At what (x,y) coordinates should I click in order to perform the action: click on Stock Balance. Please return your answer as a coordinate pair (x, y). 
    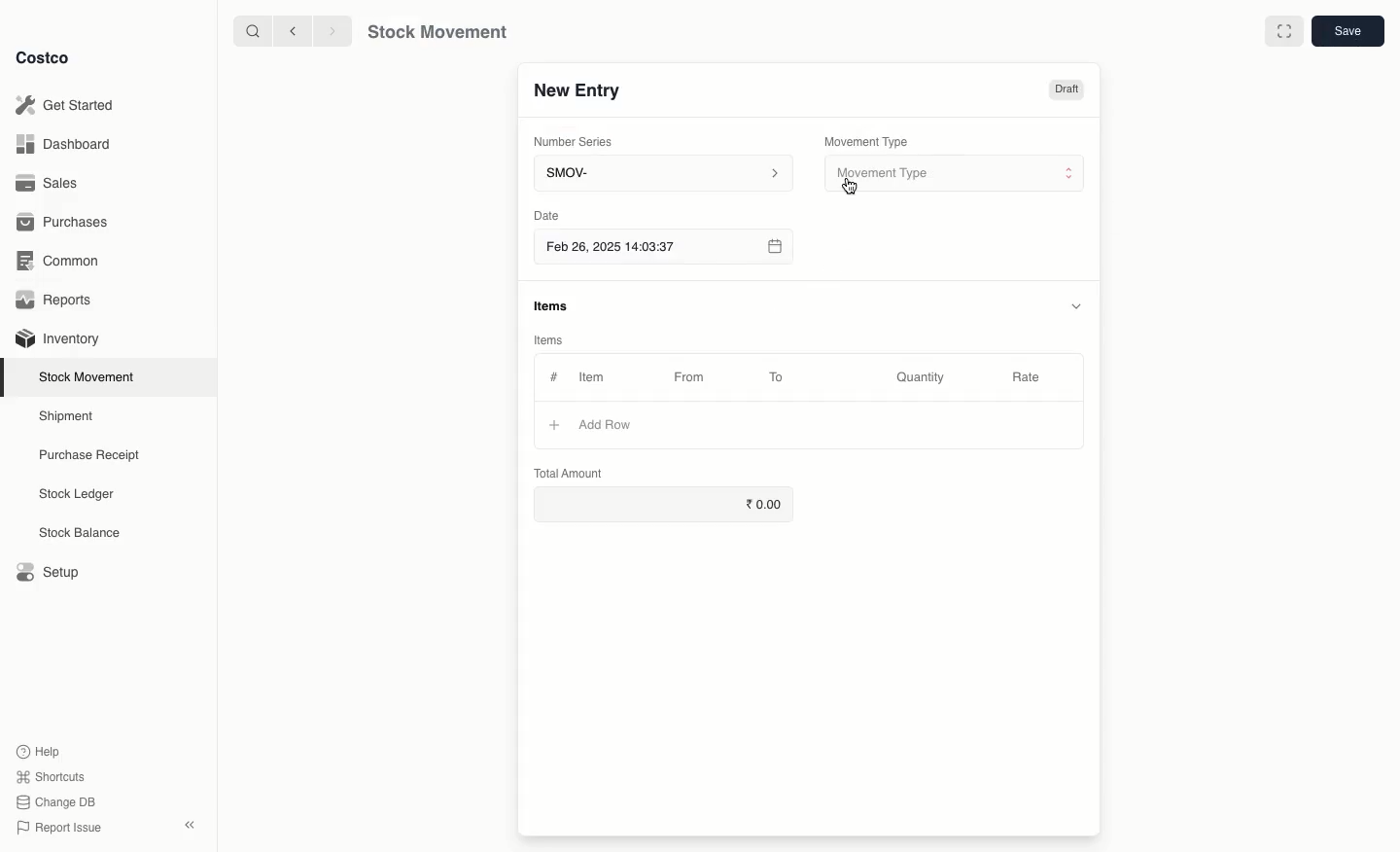
    Looking at the image, I should click on (82, 533).